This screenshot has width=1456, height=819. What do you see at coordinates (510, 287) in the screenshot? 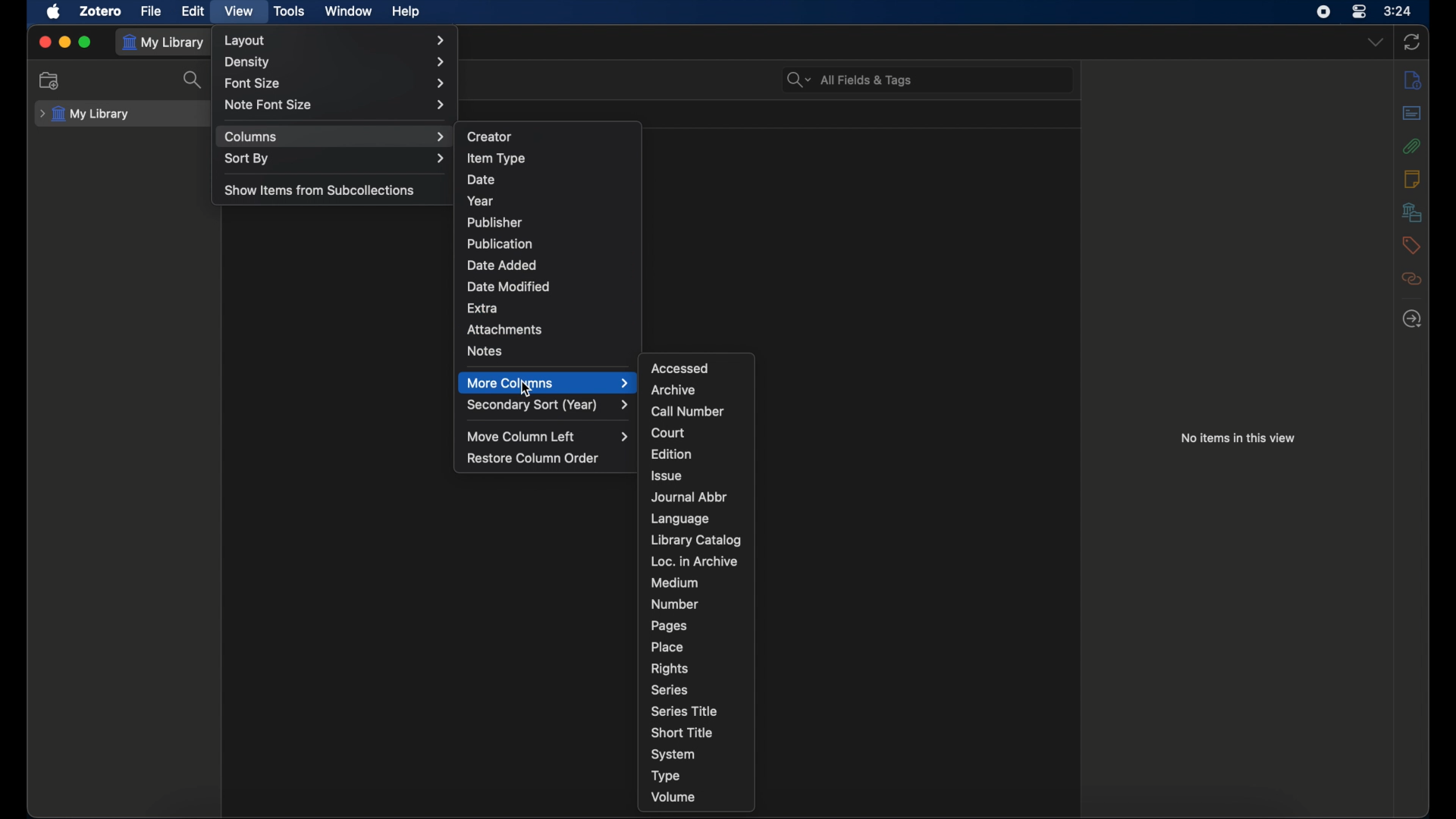
I see `date modified` at bounding box center [510, 287].